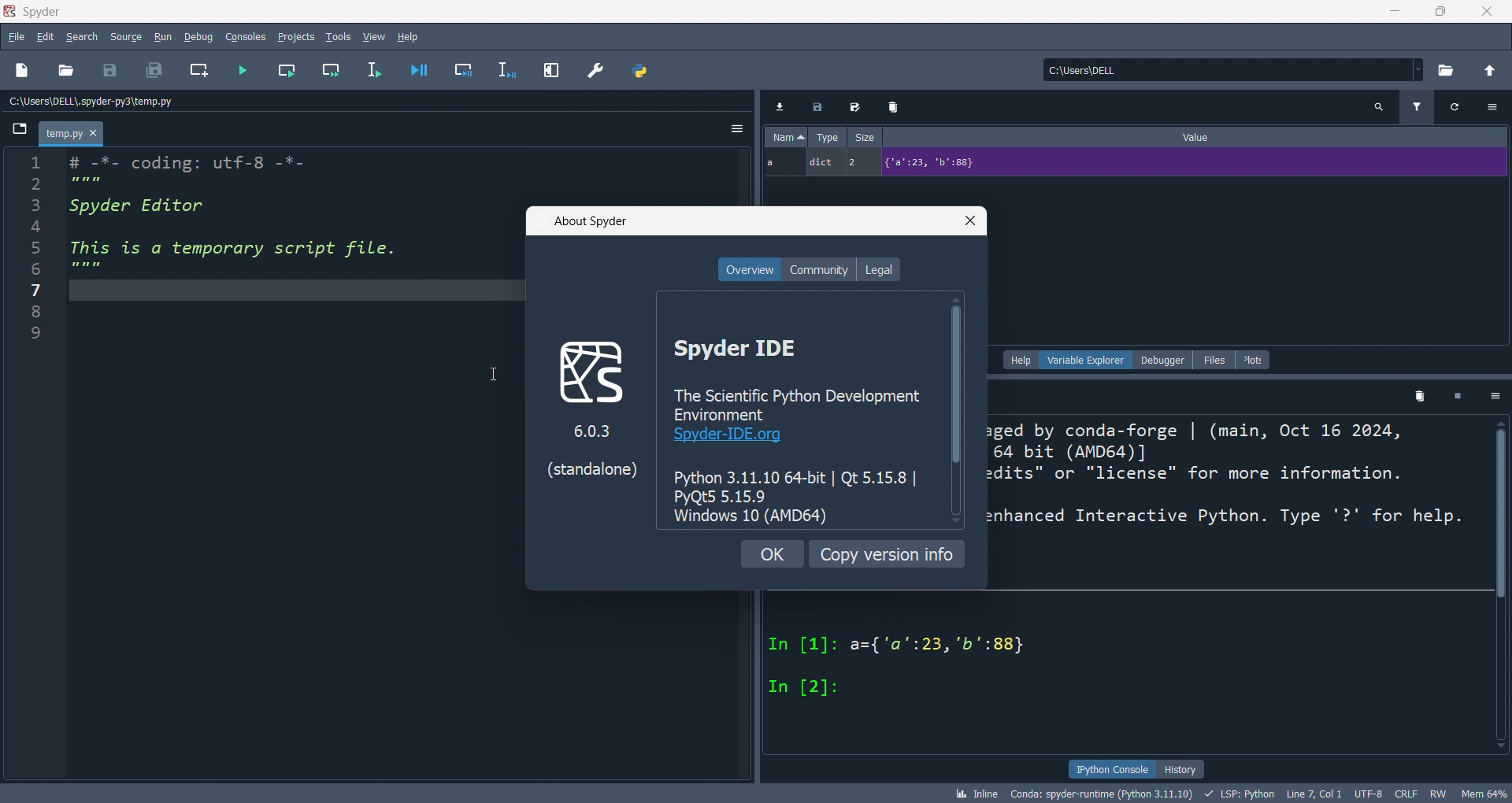  Describe the element at coordinates (773, 553) in the screenshot. I see `ok` at that location.